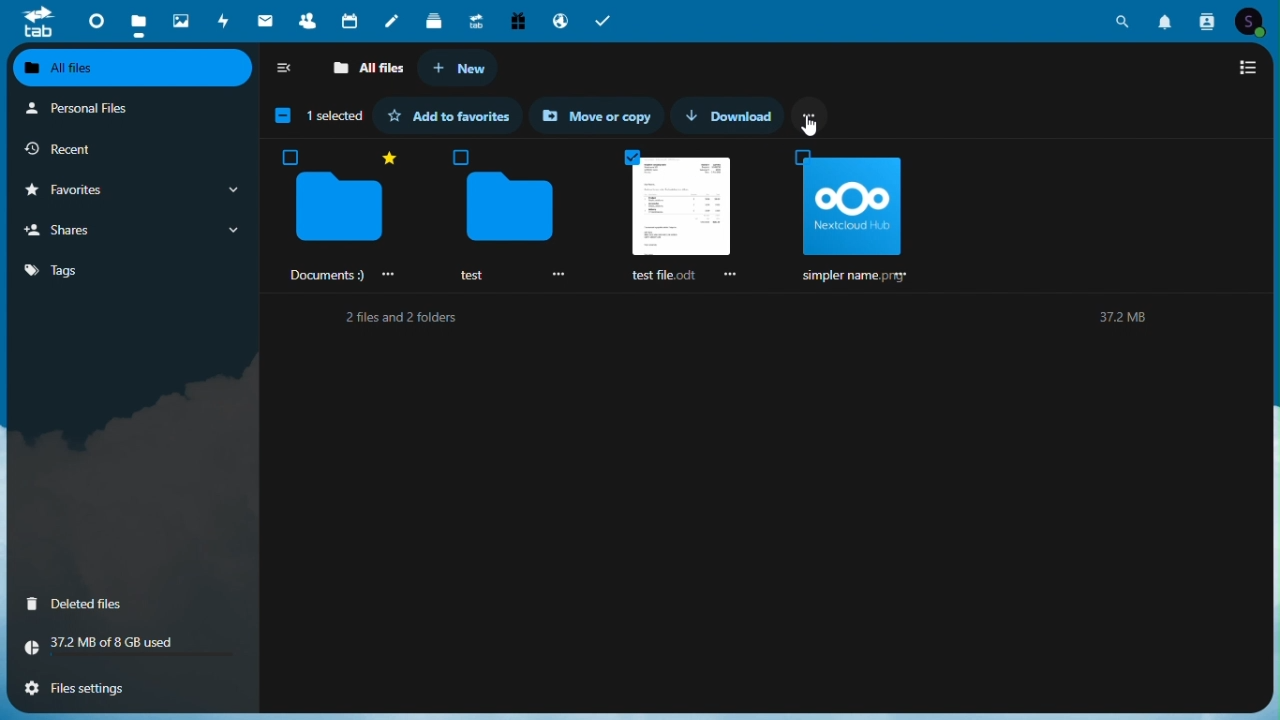  I want to click on Activity, so click(227, 21).